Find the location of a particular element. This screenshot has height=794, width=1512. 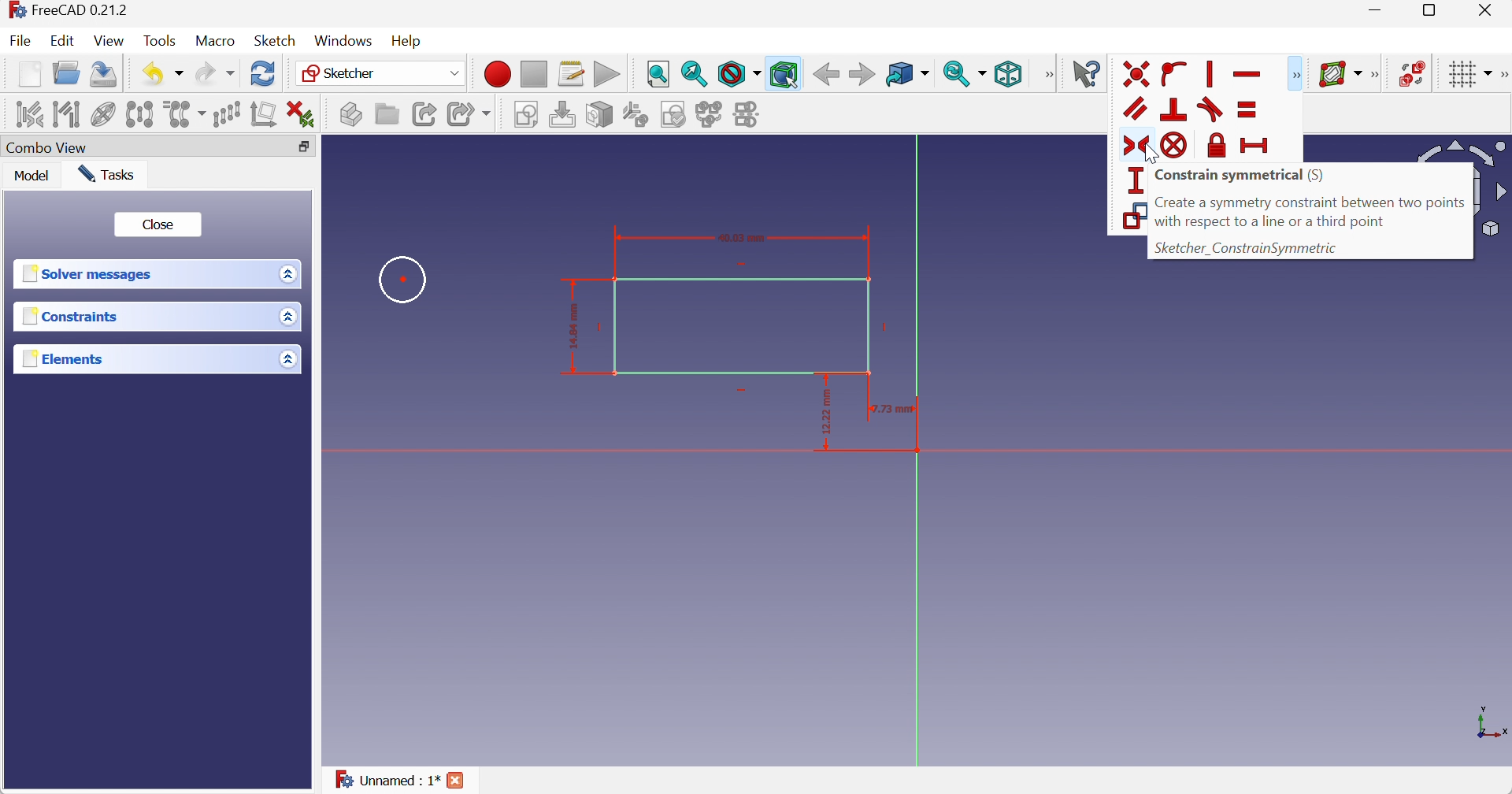

Toggle grid is located at coordinates (1473, 75).